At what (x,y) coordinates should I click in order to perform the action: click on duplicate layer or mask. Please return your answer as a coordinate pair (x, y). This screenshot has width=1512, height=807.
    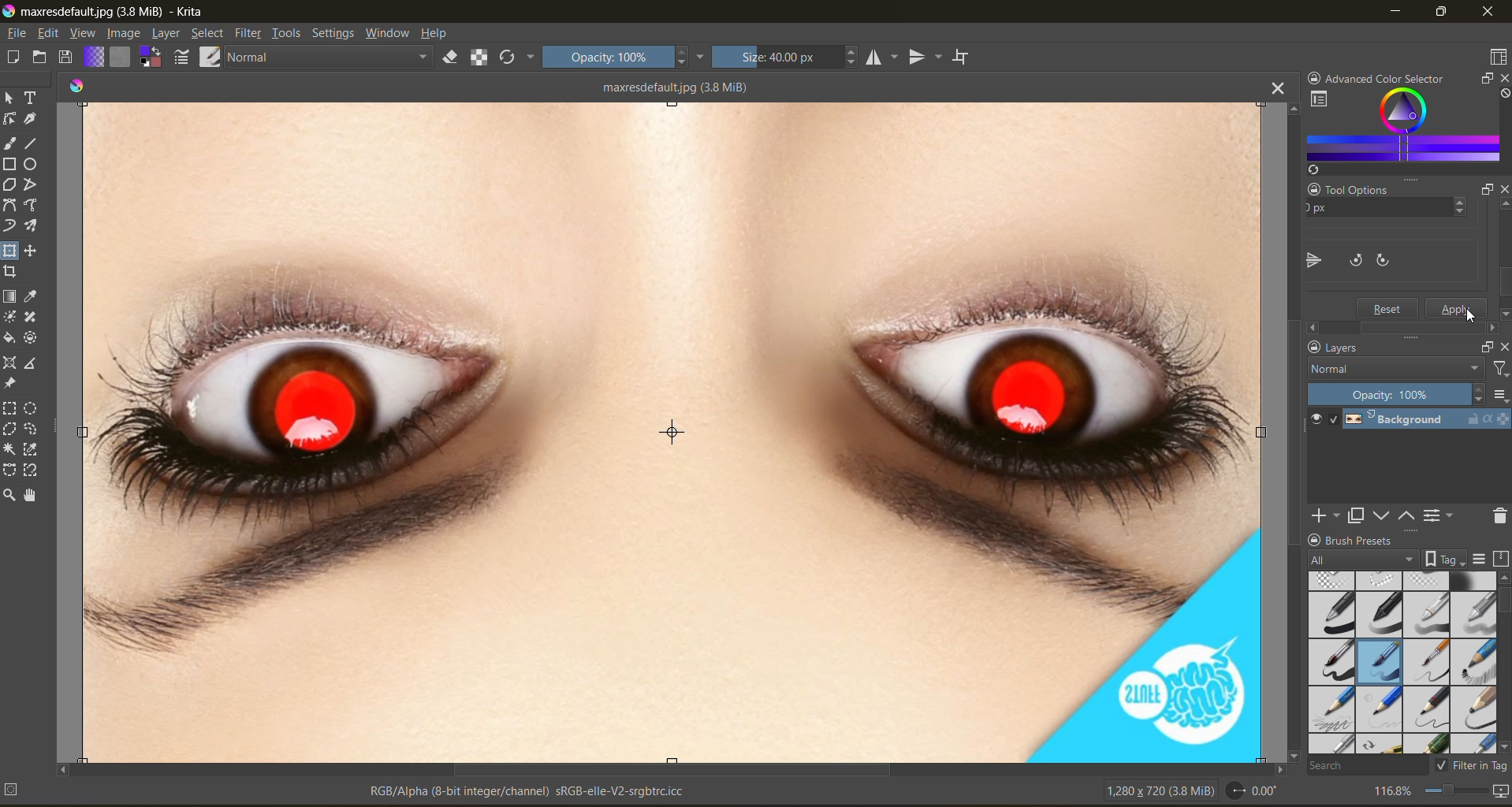
    Looking at the image, I should click on (1359, 515).